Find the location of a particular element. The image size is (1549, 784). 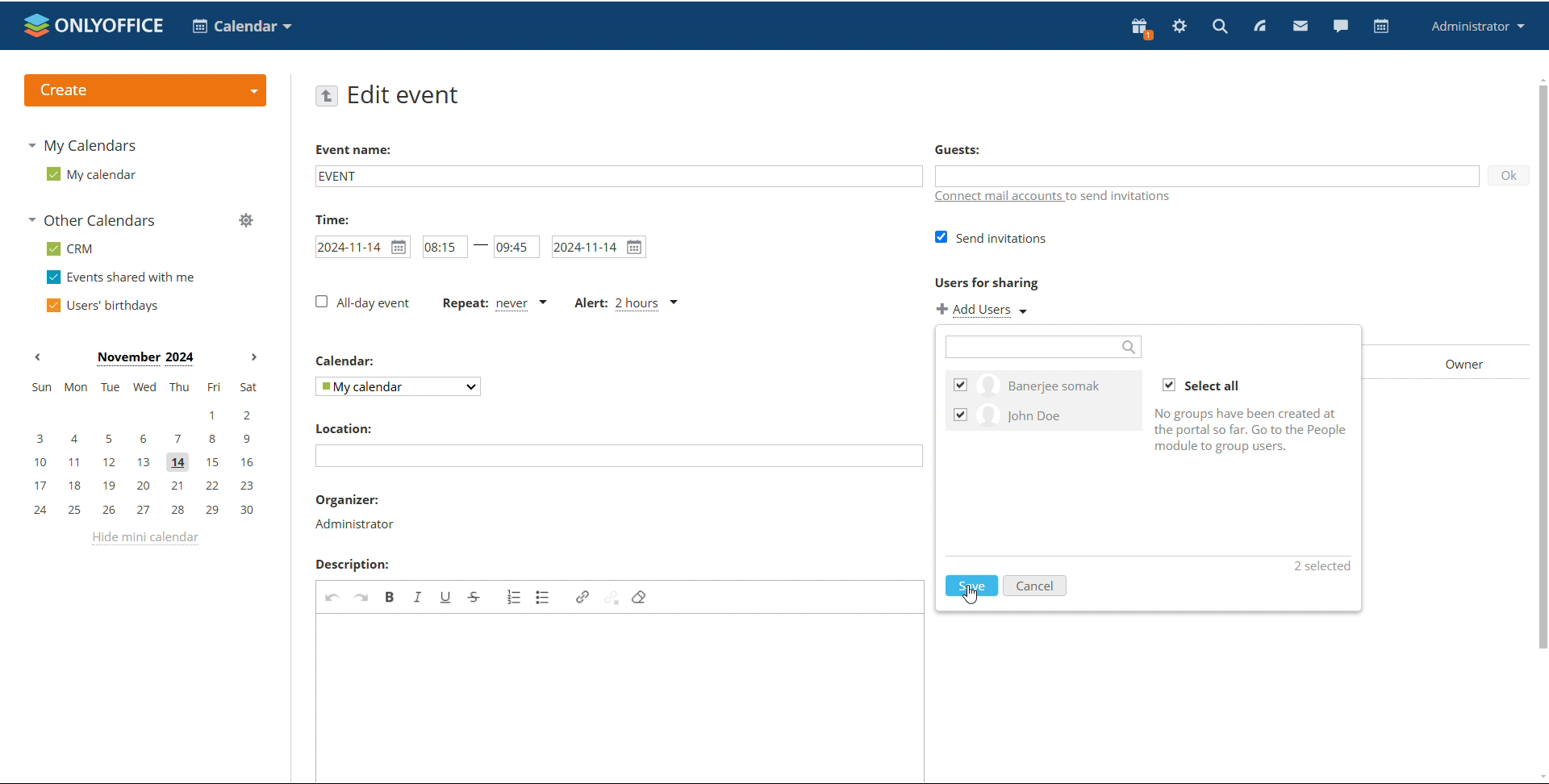

organiser is located at coordinates (346, 499).